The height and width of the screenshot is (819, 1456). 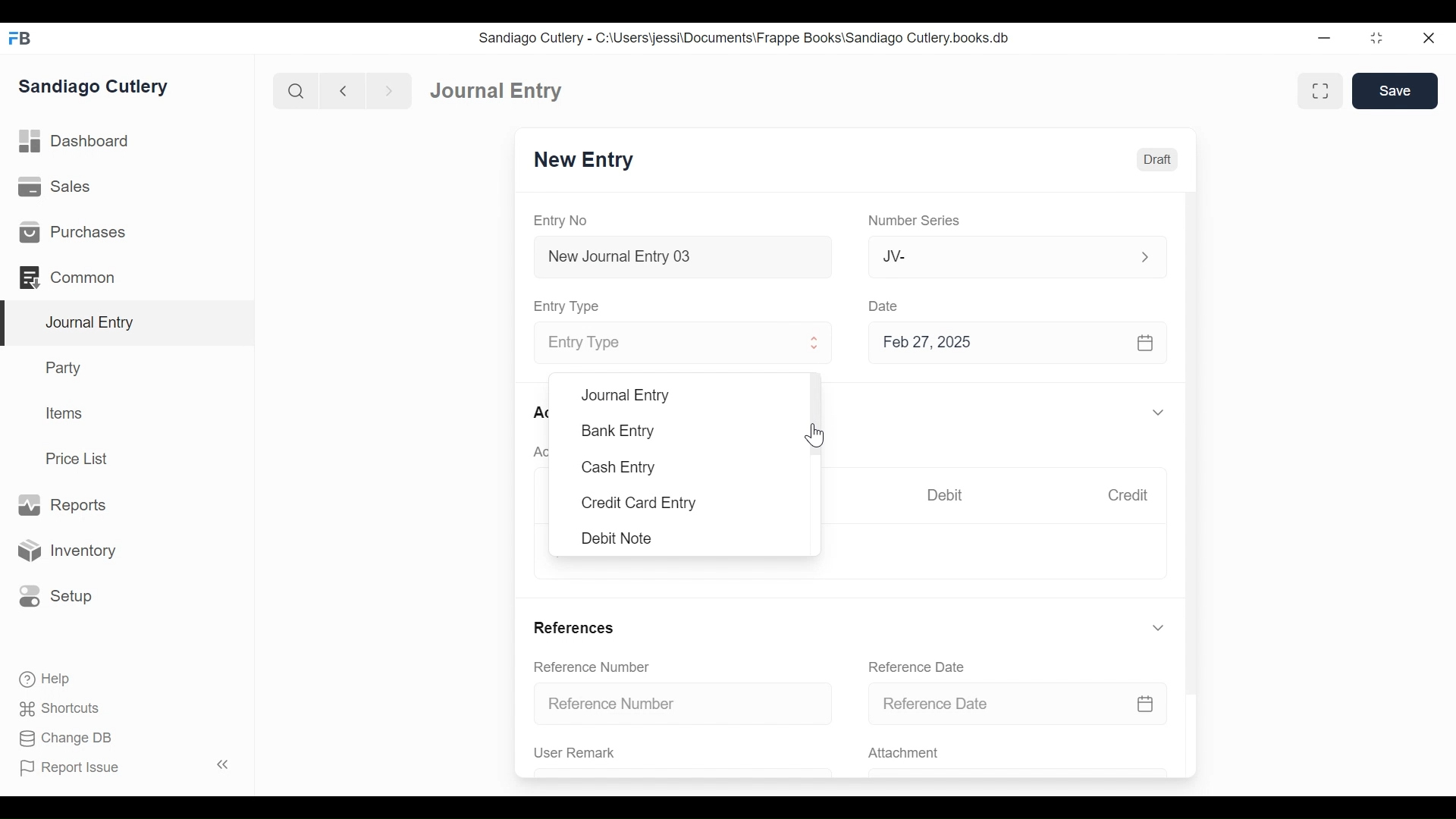 What do you see at coordinates (946, 494) in the screenshot?
I see `Debit` at bounding box center [946, 494].